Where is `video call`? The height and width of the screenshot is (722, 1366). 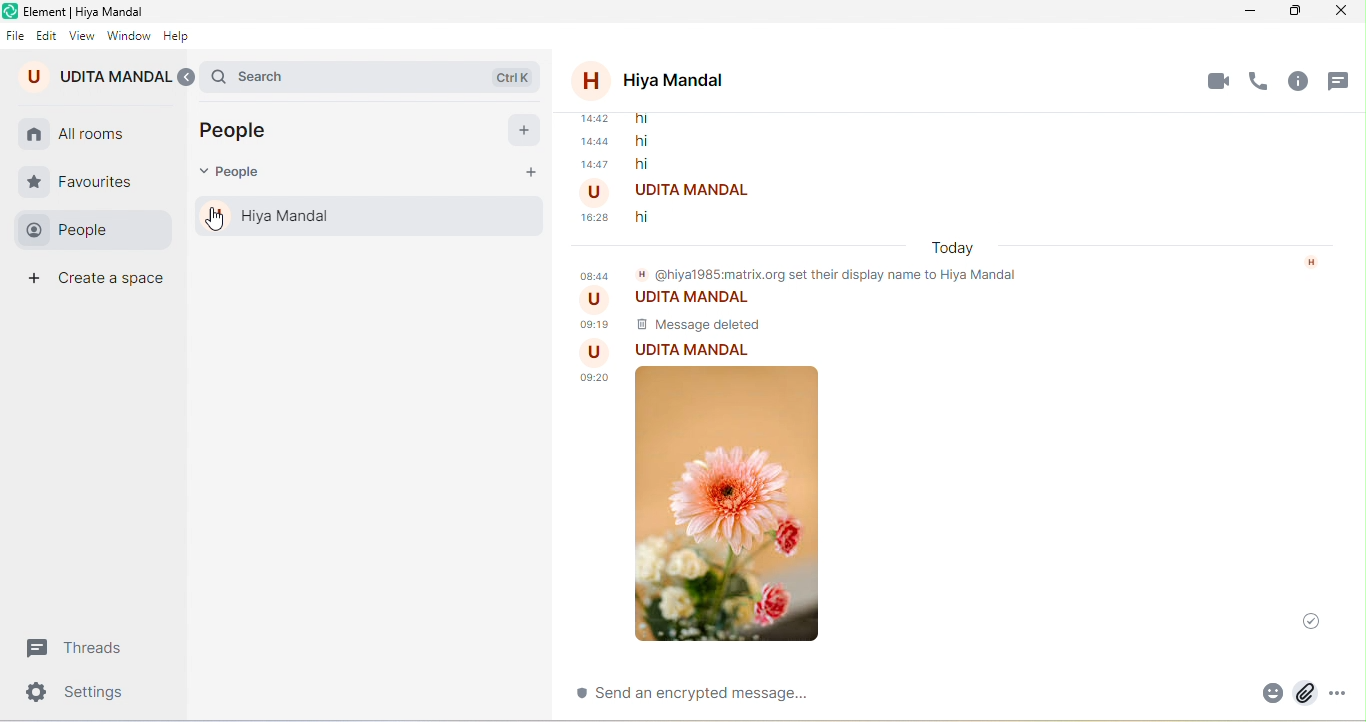 video call is located at coordinates (1221, 84).